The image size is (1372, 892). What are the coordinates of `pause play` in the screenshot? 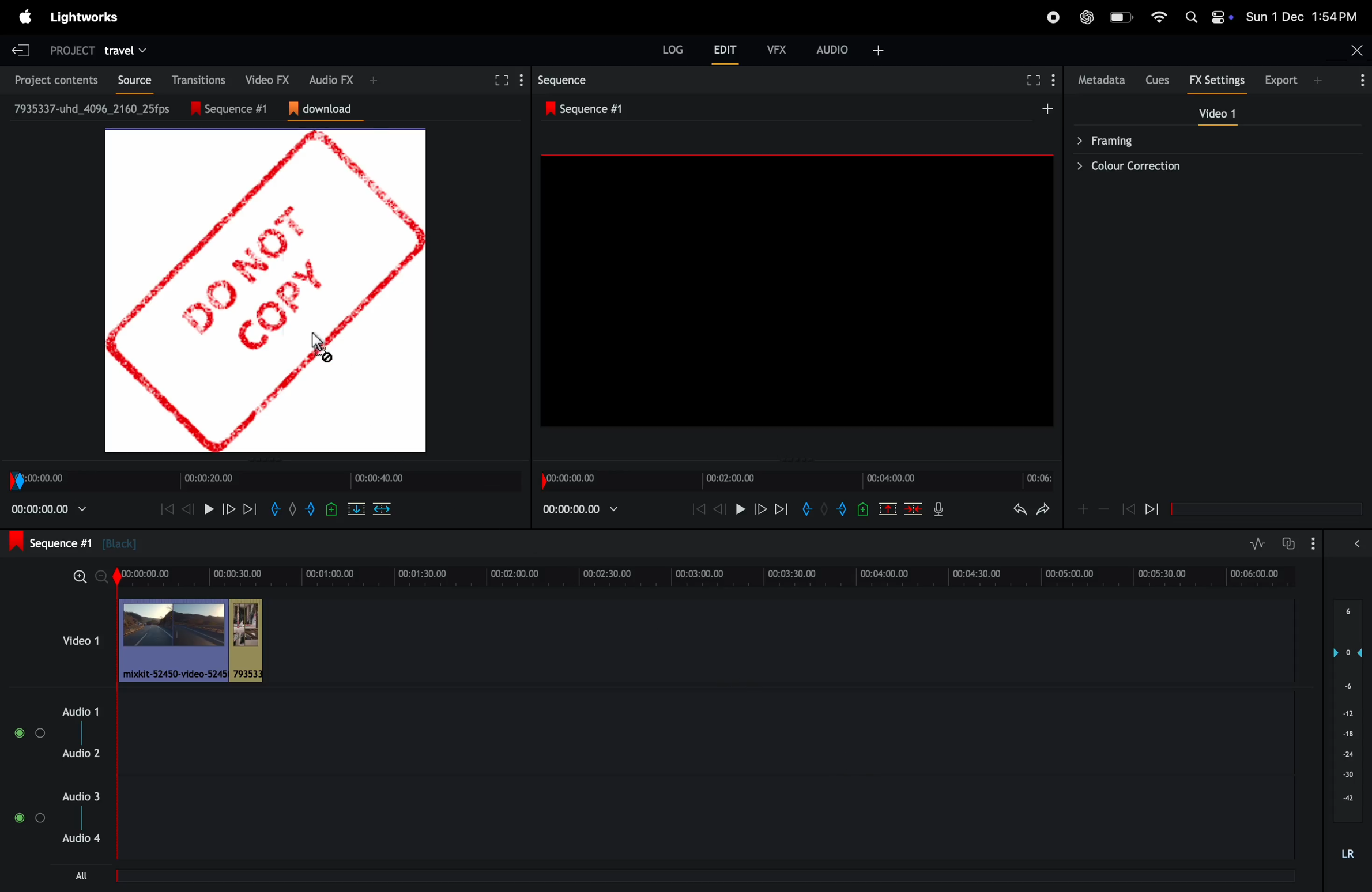 It's located at (740, 508).